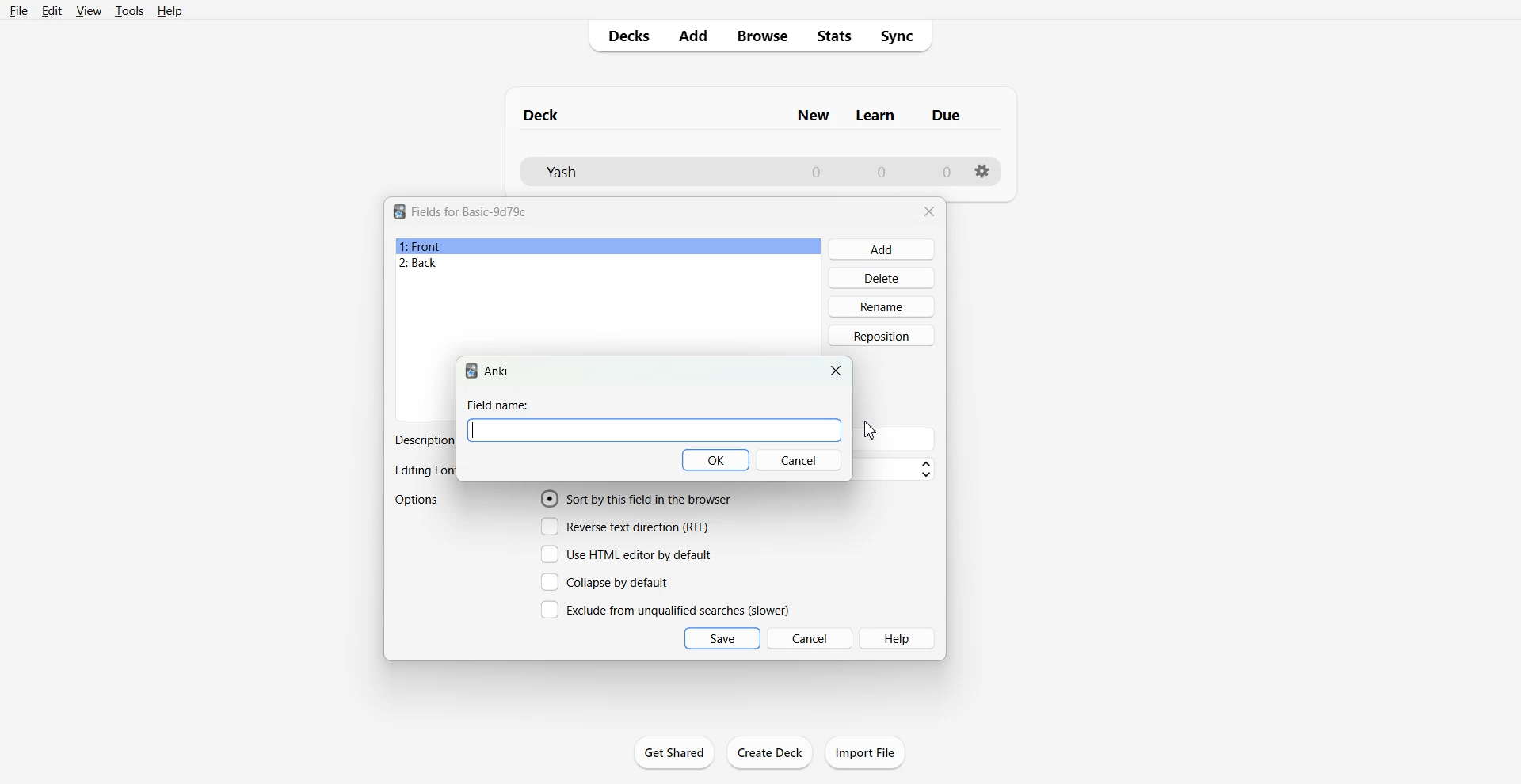 The image size is (1521, 784). Describe the element at coordinates (399, 211) in the screenshot. I see `Software logo` at that location.